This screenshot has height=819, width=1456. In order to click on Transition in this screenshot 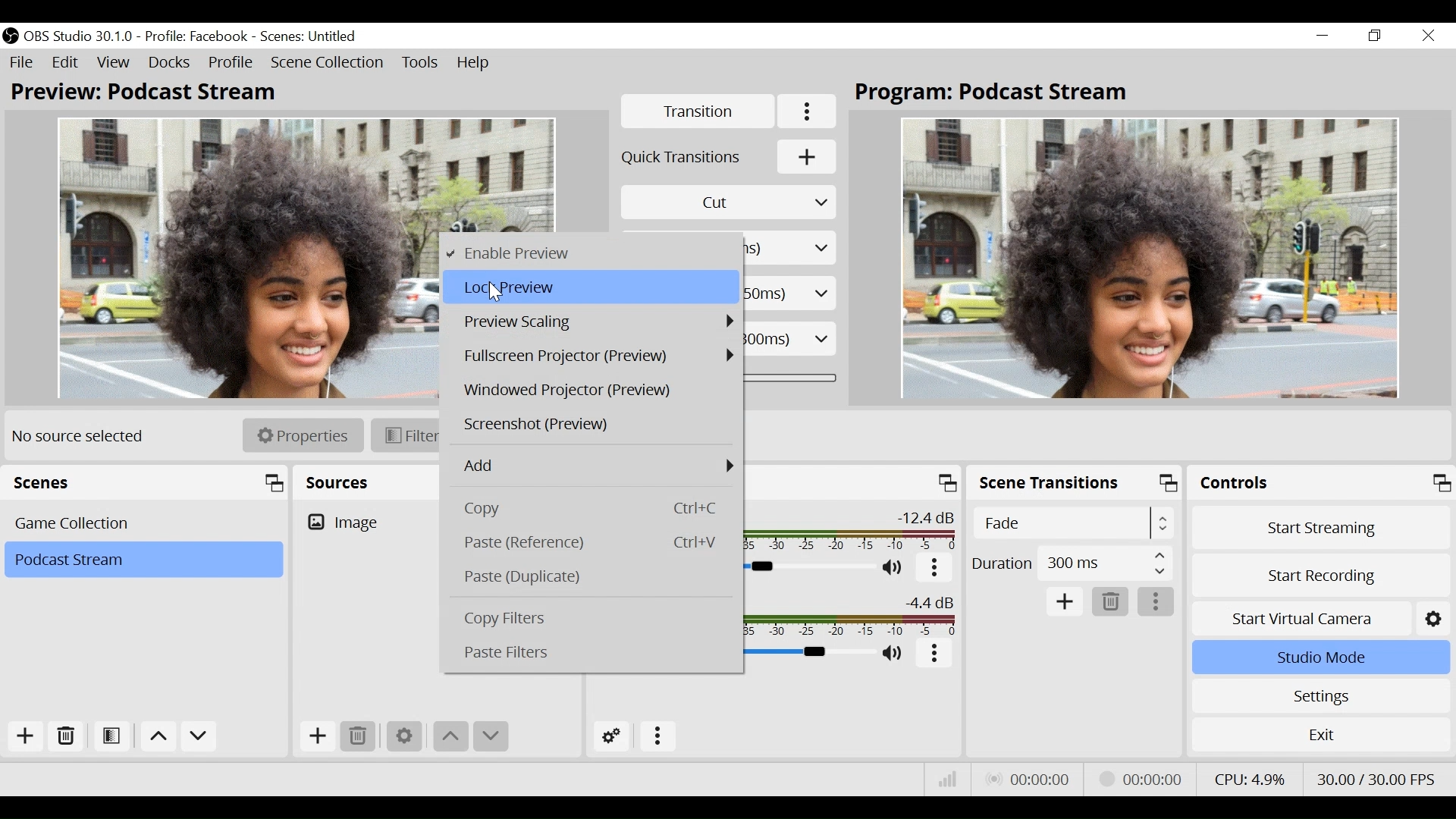, I will do `click(698, 111)`.